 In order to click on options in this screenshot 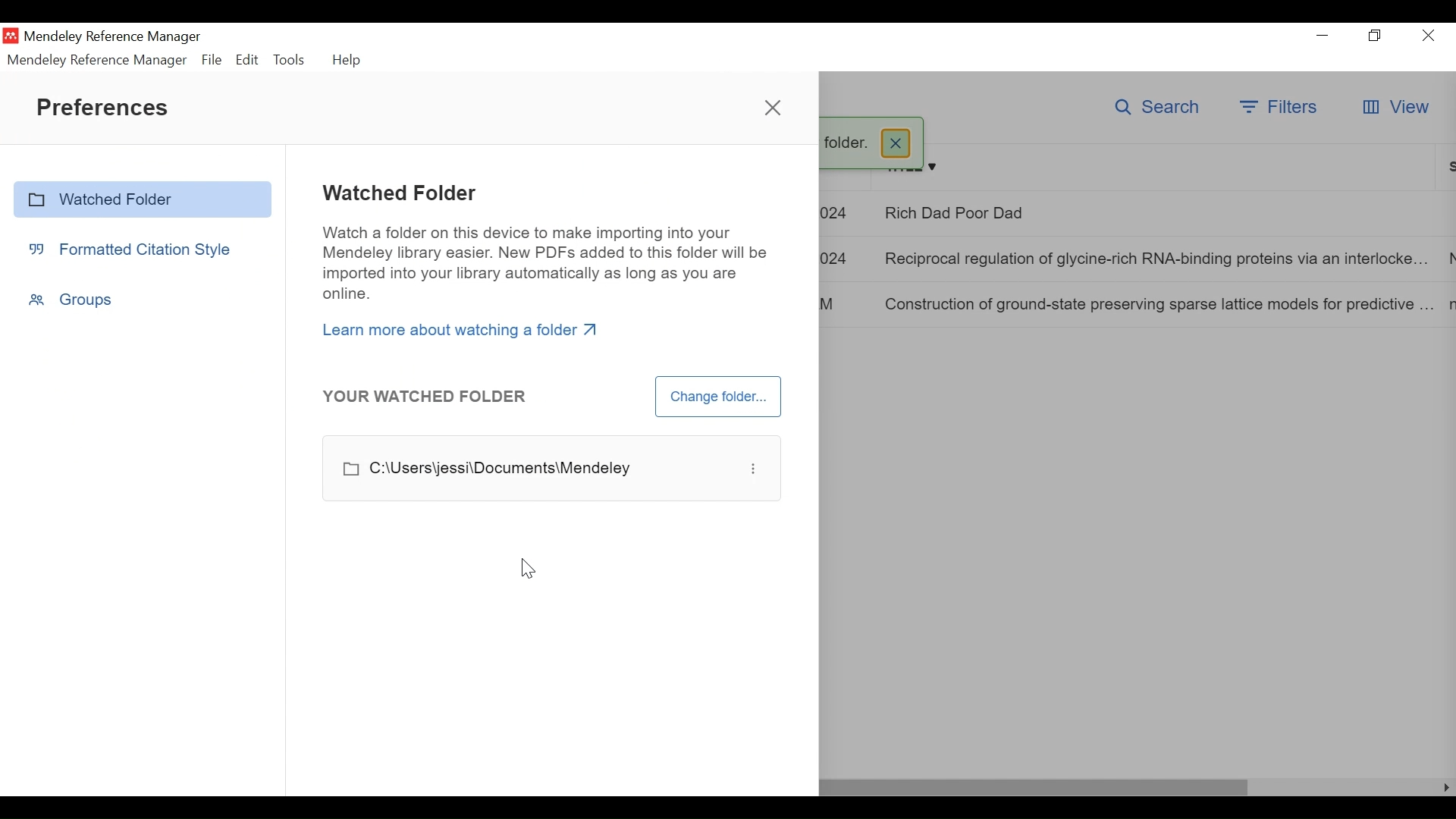, I will do `click(754, 468)`.